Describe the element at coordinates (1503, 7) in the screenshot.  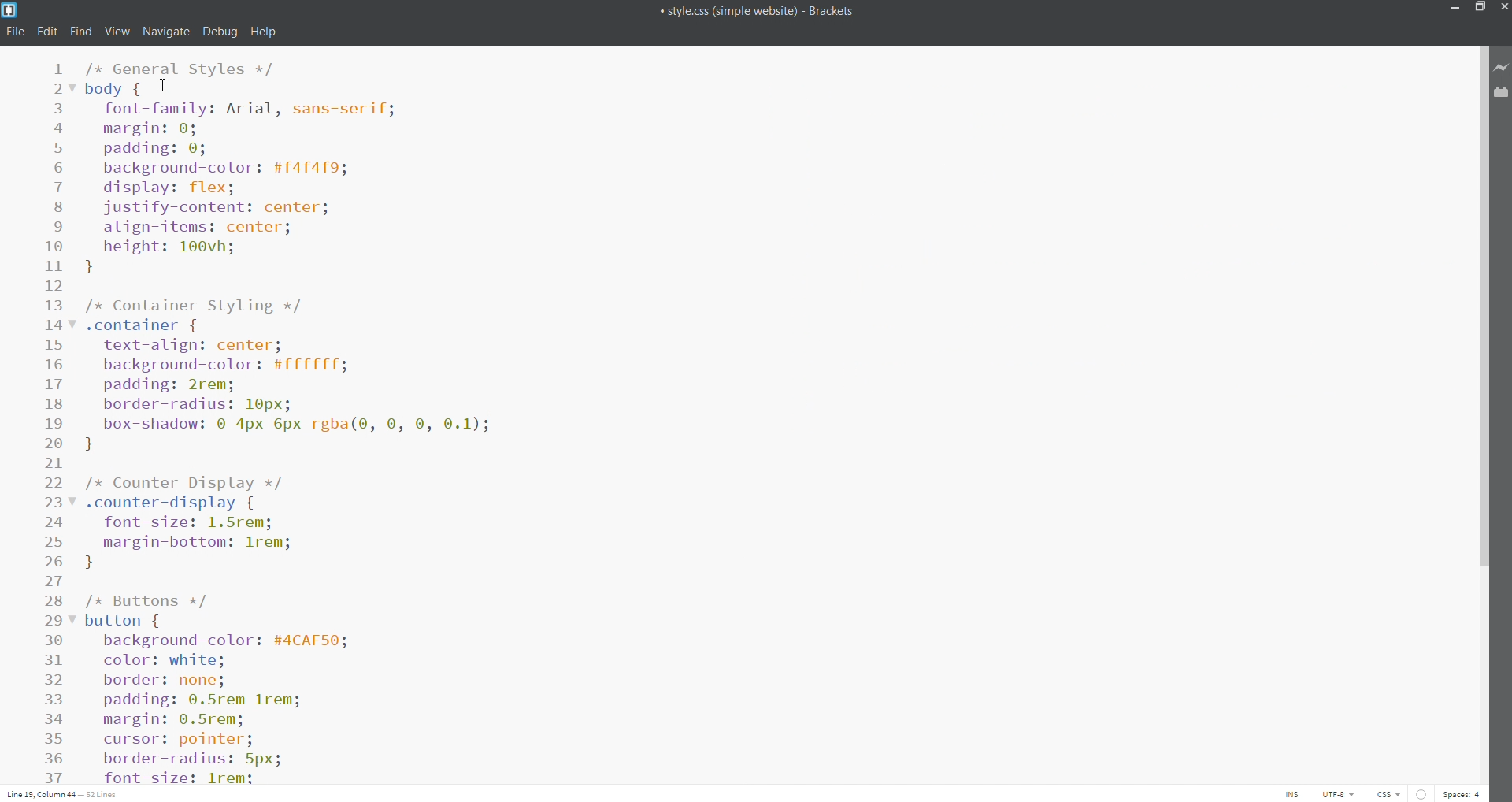
I see `close` at that location.